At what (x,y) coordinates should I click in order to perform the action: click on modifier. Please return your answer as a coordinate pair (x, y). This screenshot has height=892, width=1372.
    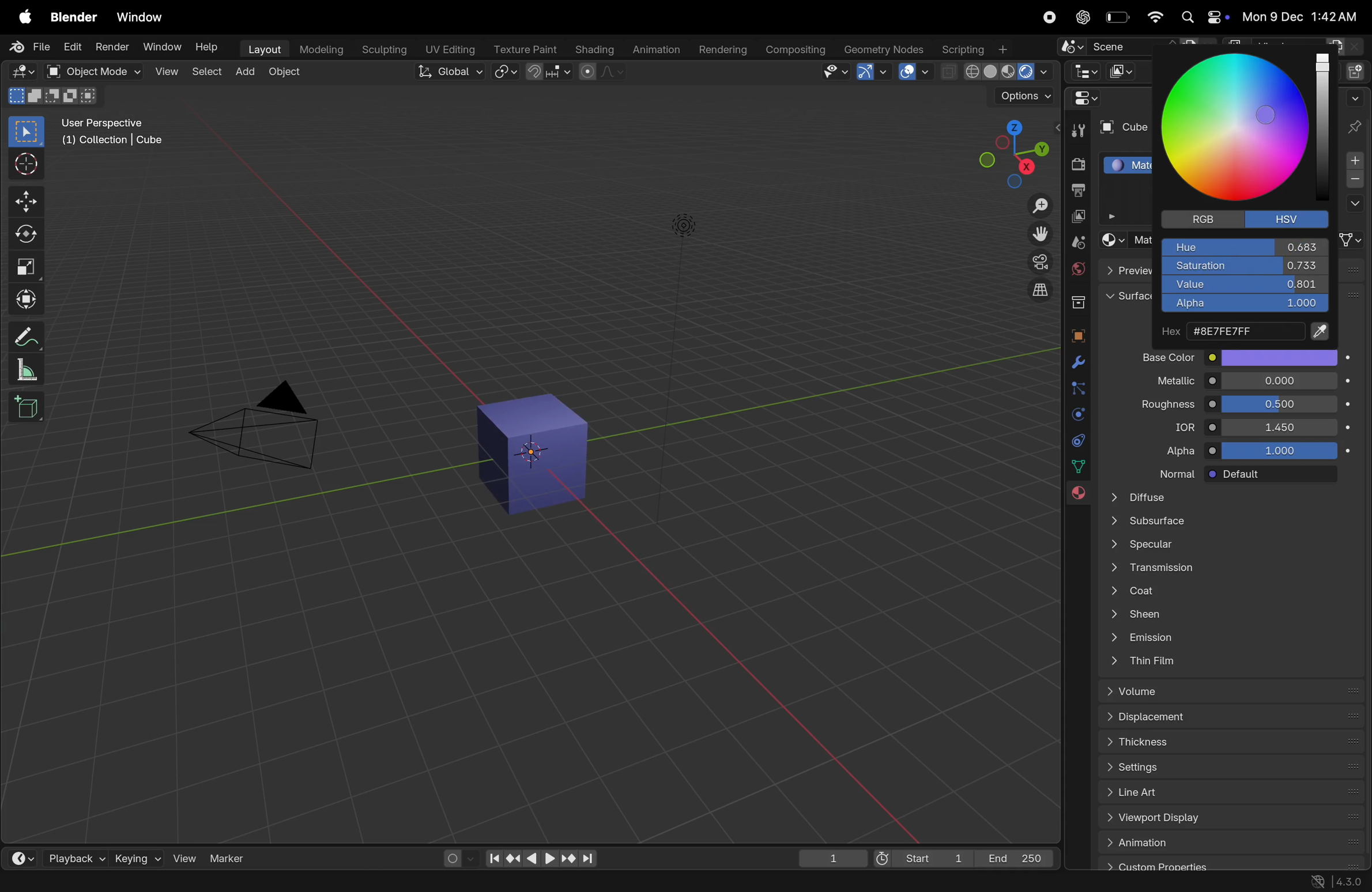
    Looking at the image, I should click on (93, 882).